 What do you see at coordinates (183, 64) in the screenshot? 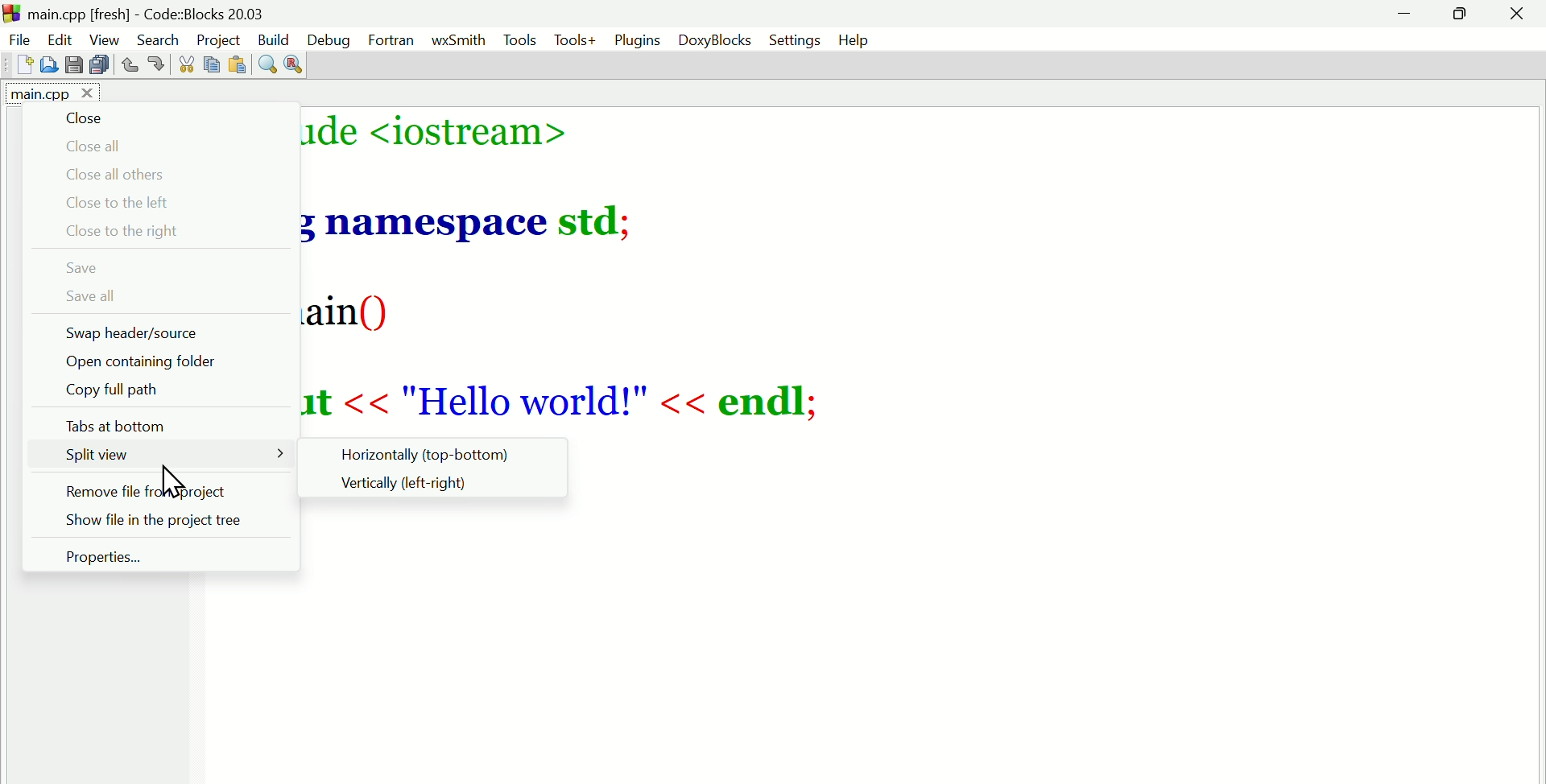
I see `Cut` at bounding box center [183, 64].